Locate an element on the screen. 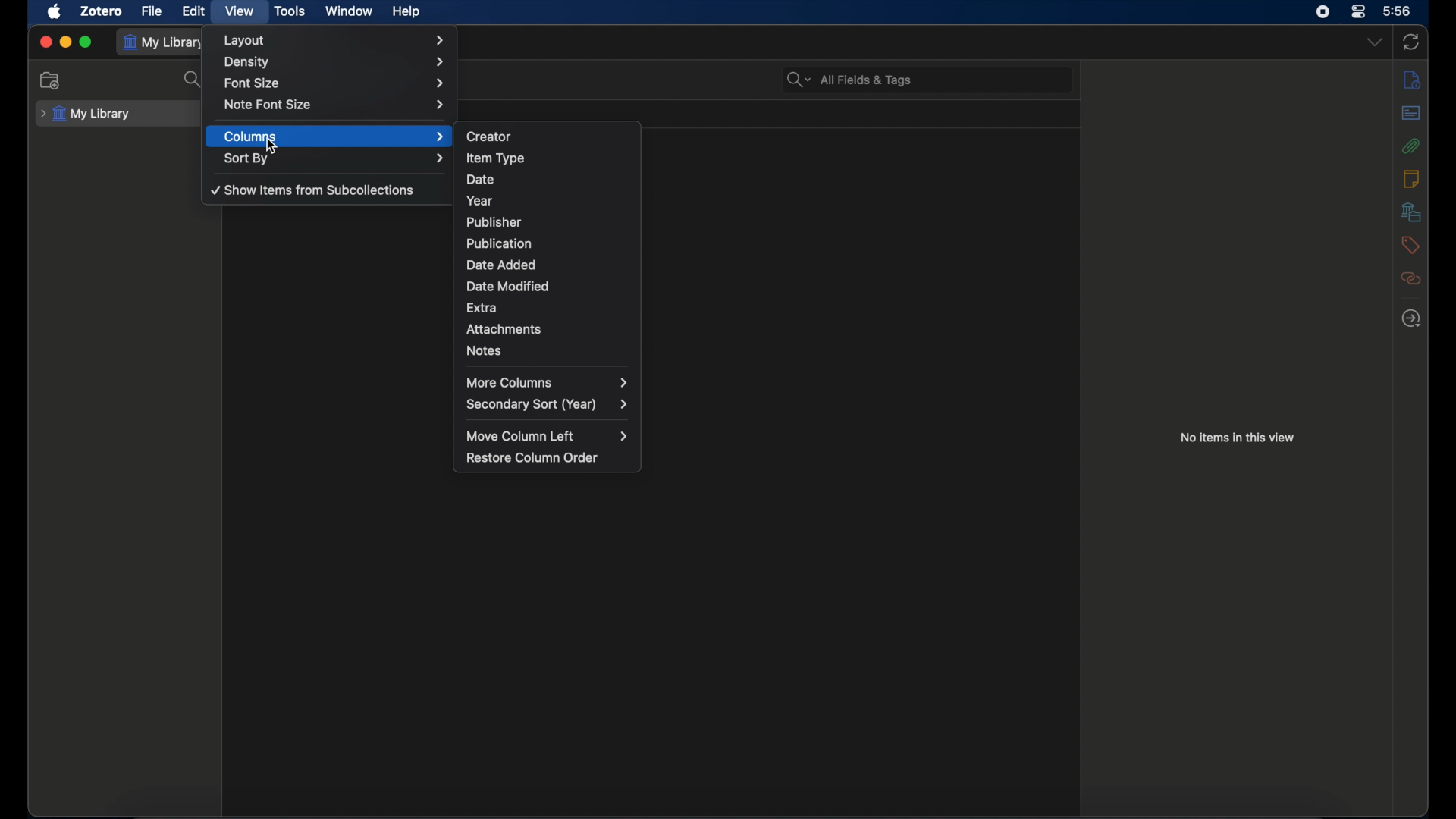 The width and height of the screenshot is (1456, 819). my library is located at coordinates (165, 42).